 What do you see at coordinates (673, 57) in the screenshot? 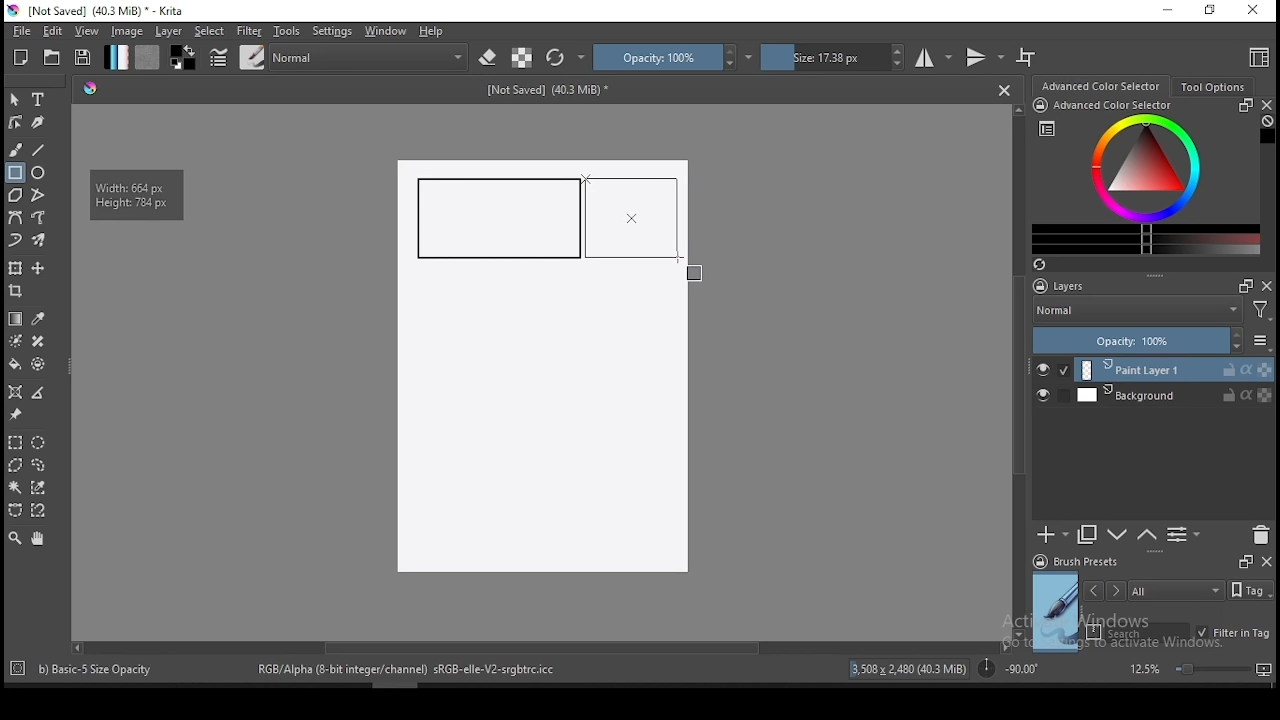
I see `opacity` at bounding box center [673, 57].